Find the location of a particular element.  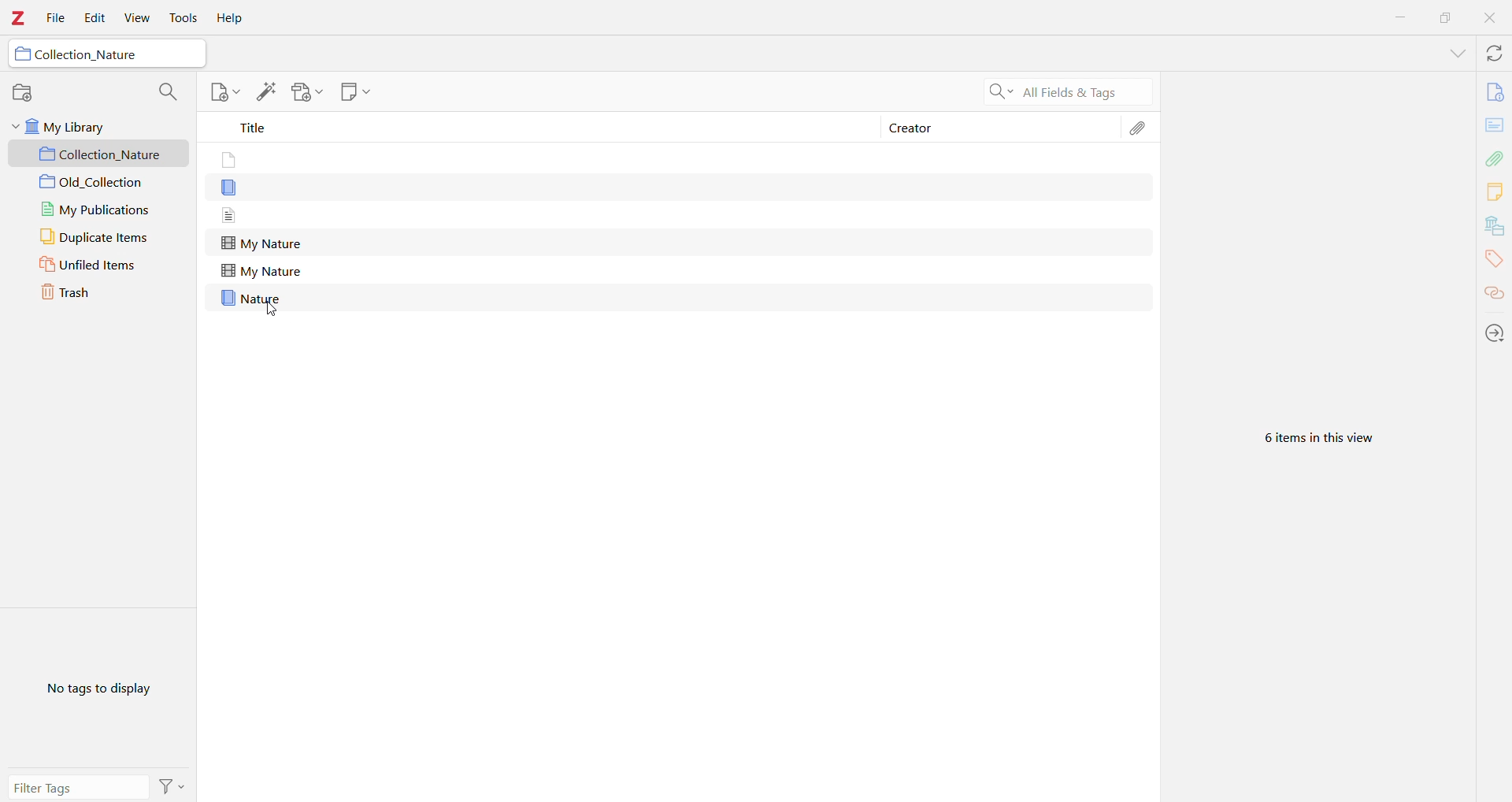

Search All Fields & Tags is located at coordinates (1063, 92).